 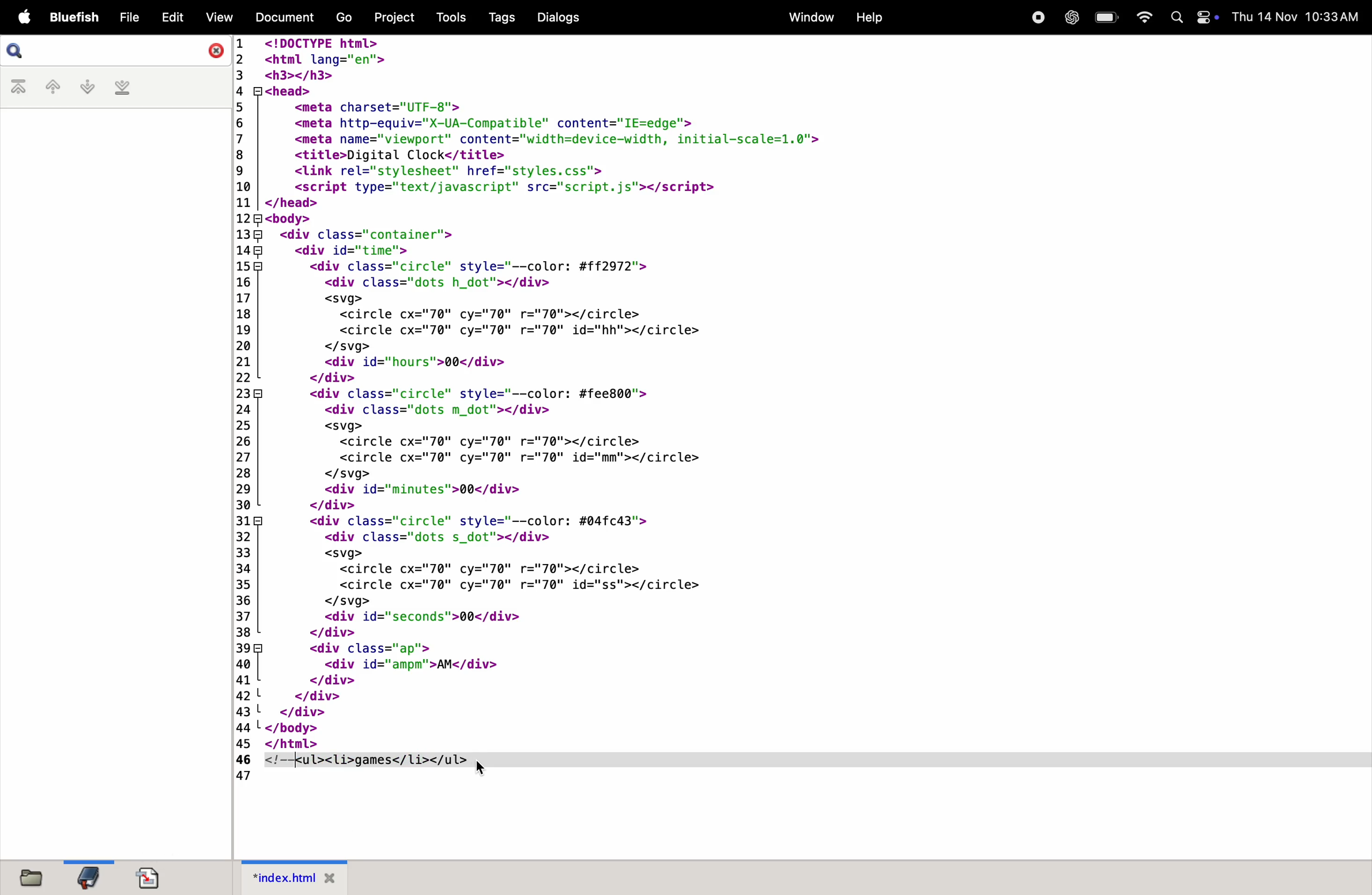 I want to click on Date and time, so click(x=1297, y=16).